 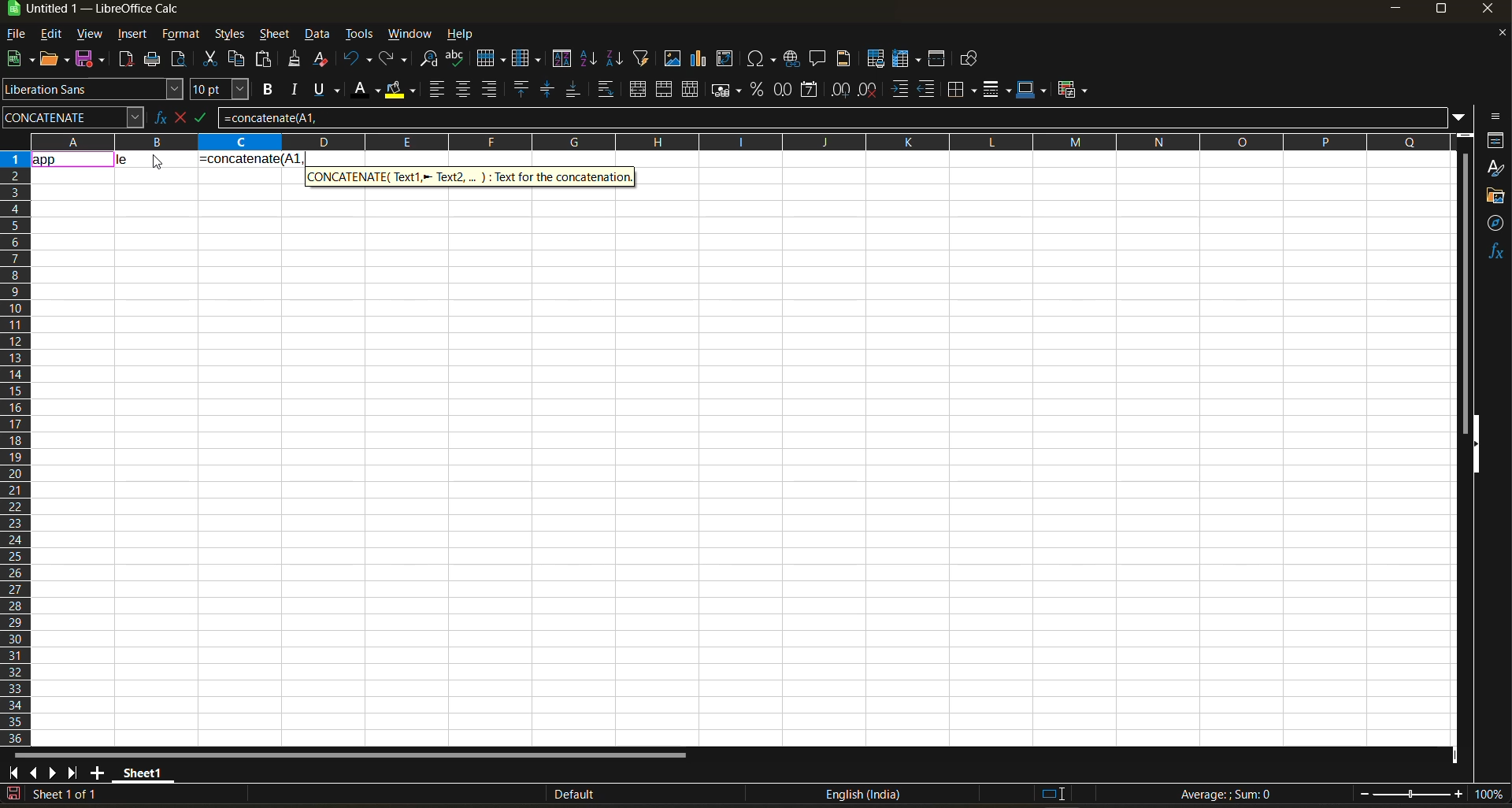 What do you see at coordinates (491, 57) in the screenshot?
I see `row` at bounding box center [491, 57].